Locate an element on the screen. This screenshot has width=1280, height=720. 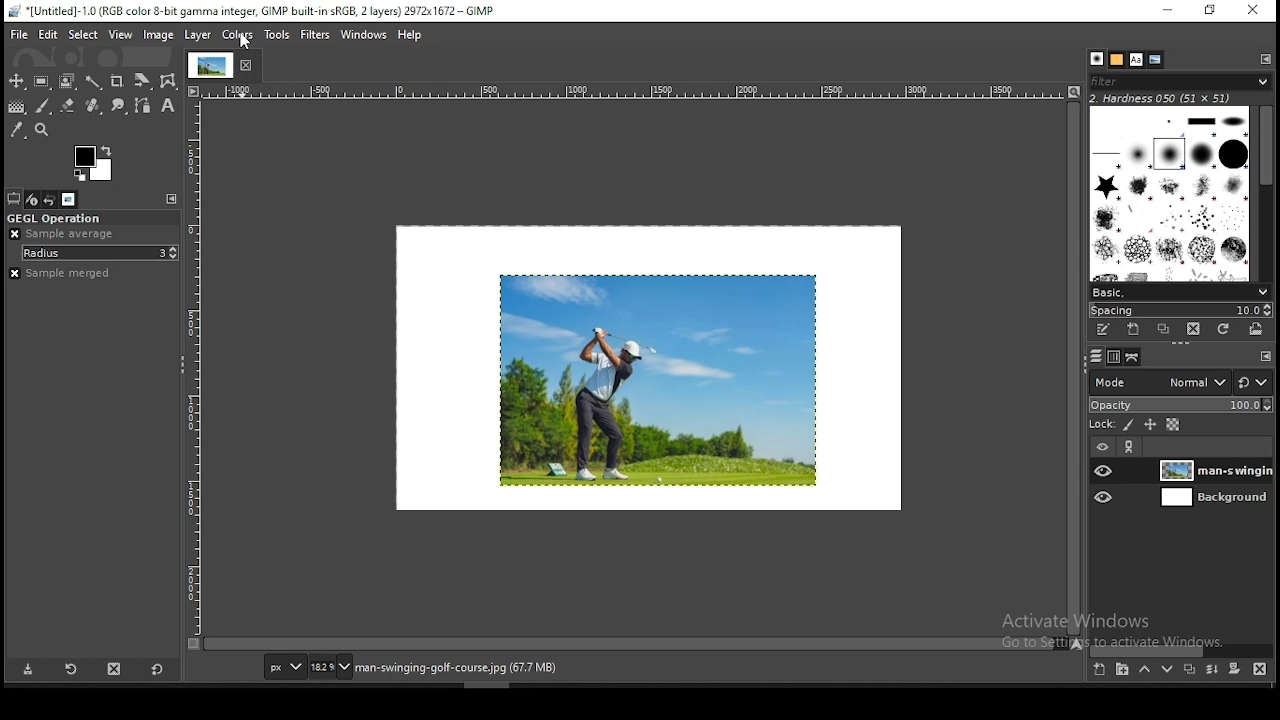
brush tool is located at coordinates (47, 107).